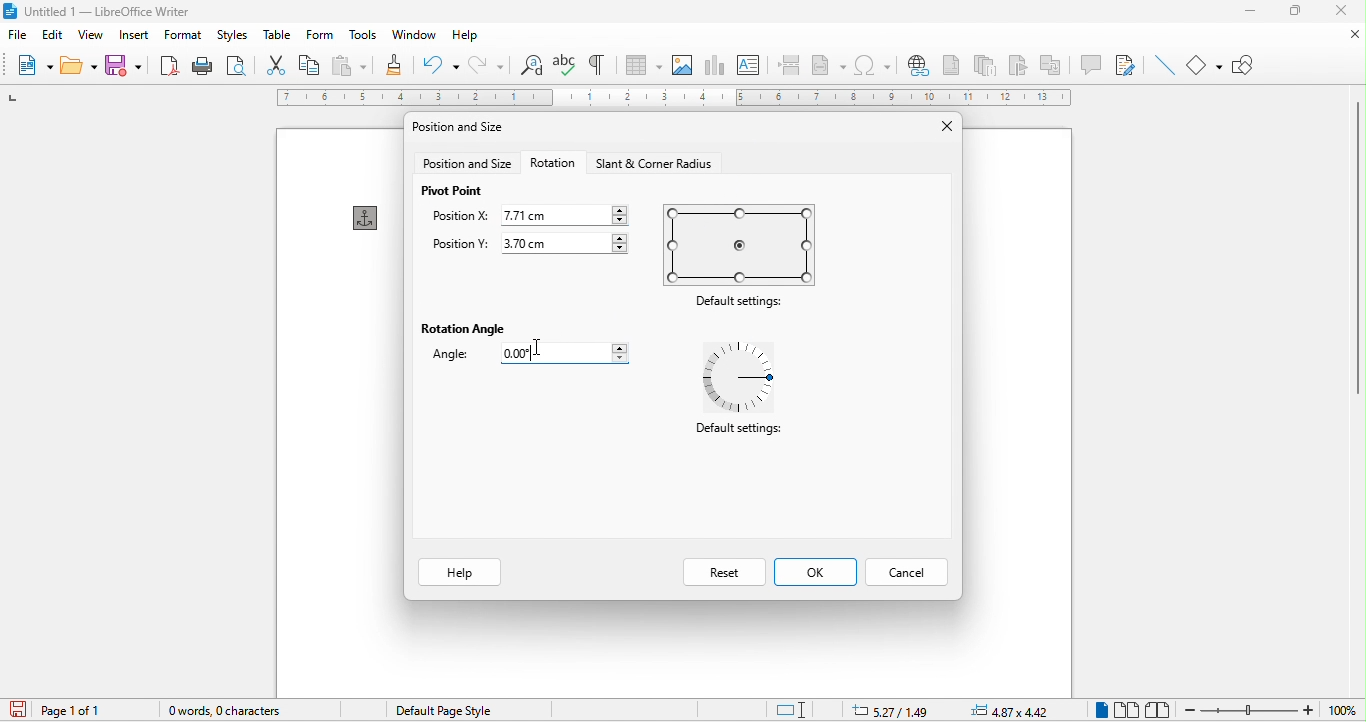 The image size is (1366, 722). I want to click on open, so click(79, 64).